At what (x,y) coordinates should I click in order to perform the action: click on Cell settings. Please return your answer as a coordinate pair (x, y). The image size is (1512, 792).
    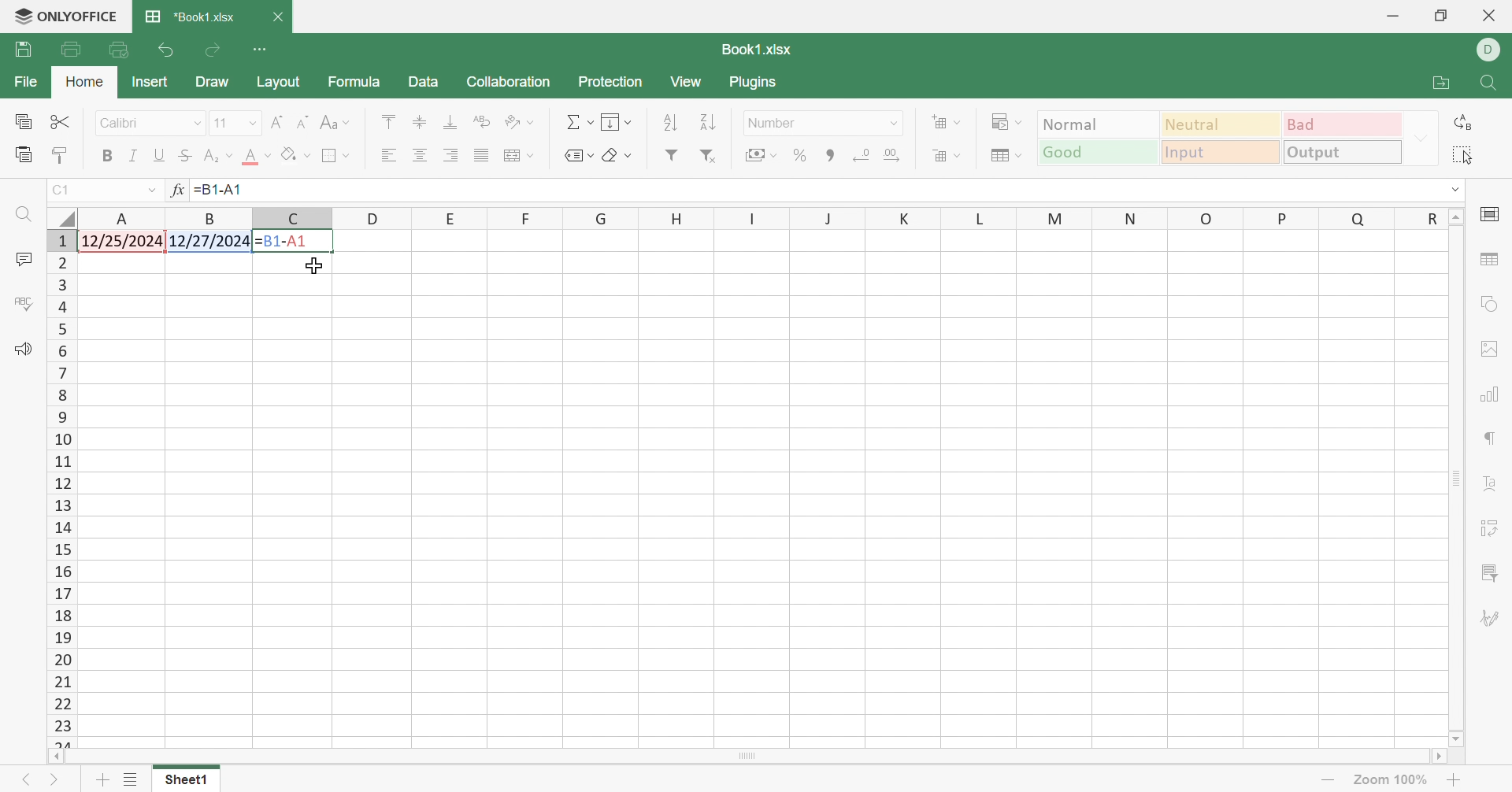
    Looking at the image, I should click on (1492, 218).